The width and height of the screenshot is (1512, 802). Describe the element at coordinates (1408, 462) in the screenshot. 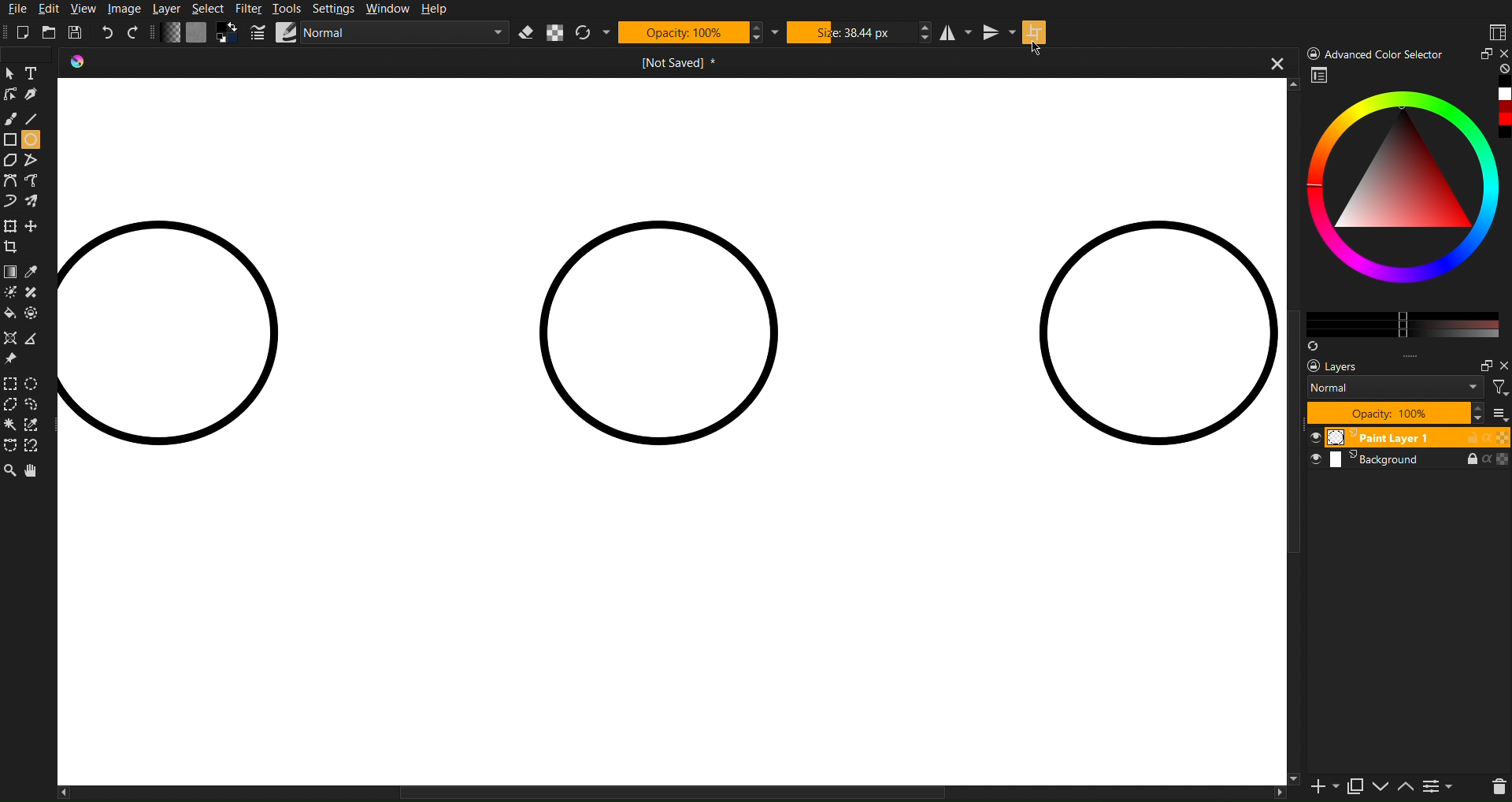

I see `Background` at that location.